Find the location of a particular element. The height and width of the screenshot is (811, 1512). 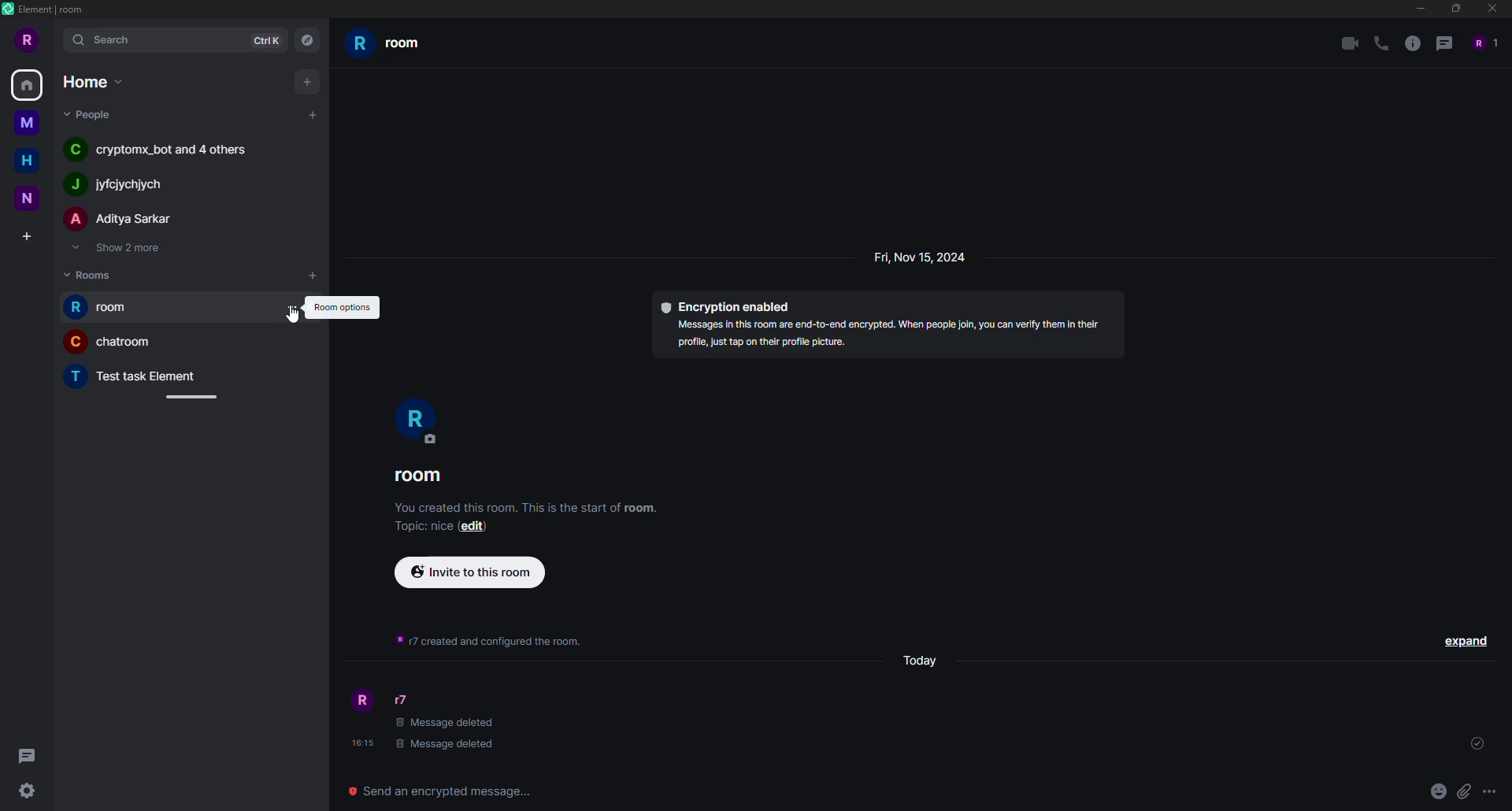

cursor is located at coordinates (295, 316).